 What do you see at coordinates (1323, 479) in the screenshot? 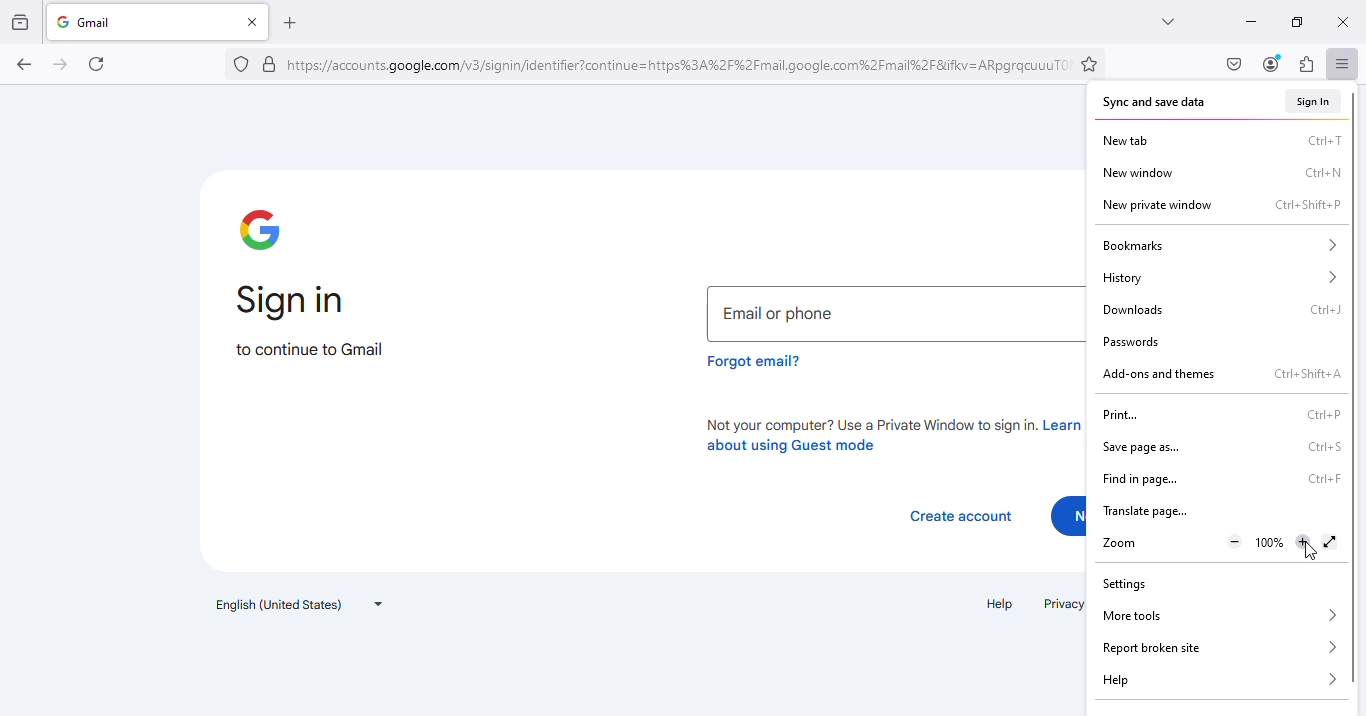
I see `shortcut for find in page` at bounding box center [1323, 479].